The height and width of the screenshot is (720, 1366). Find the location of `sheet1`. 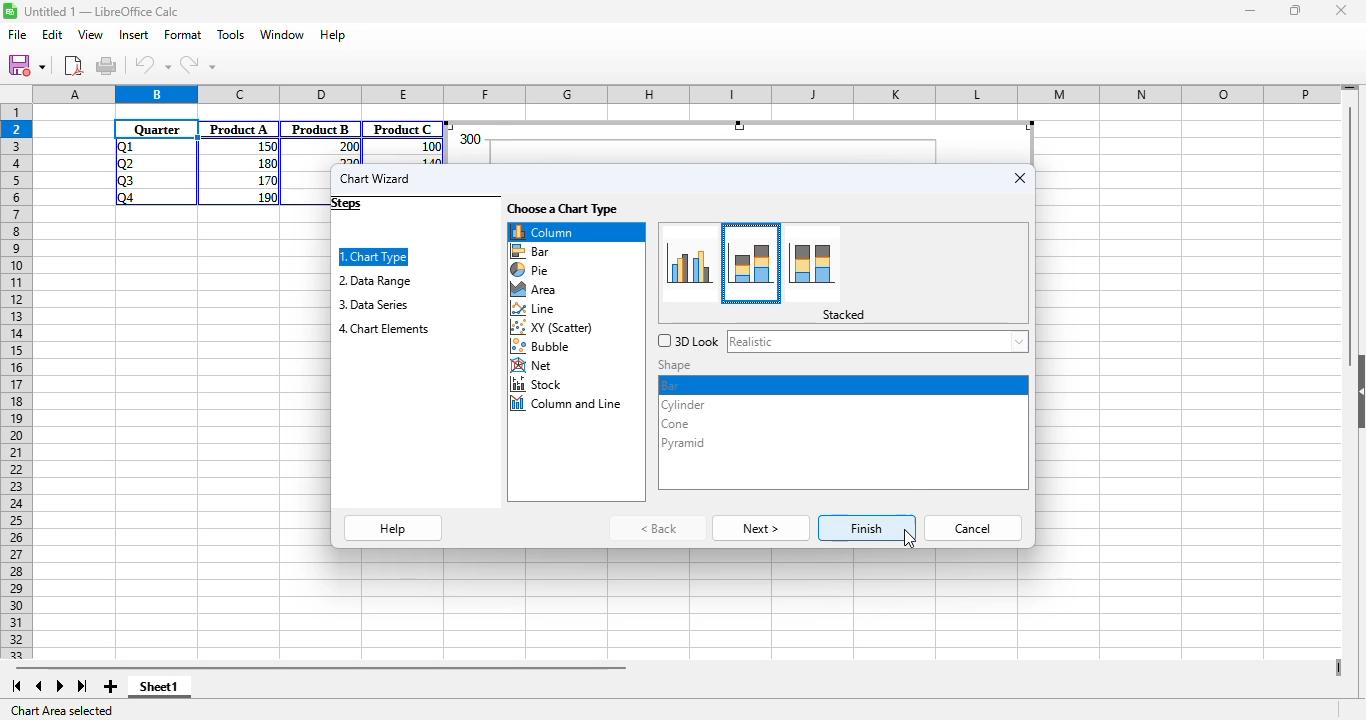

sheet1 is located at coordinates (159, 687).